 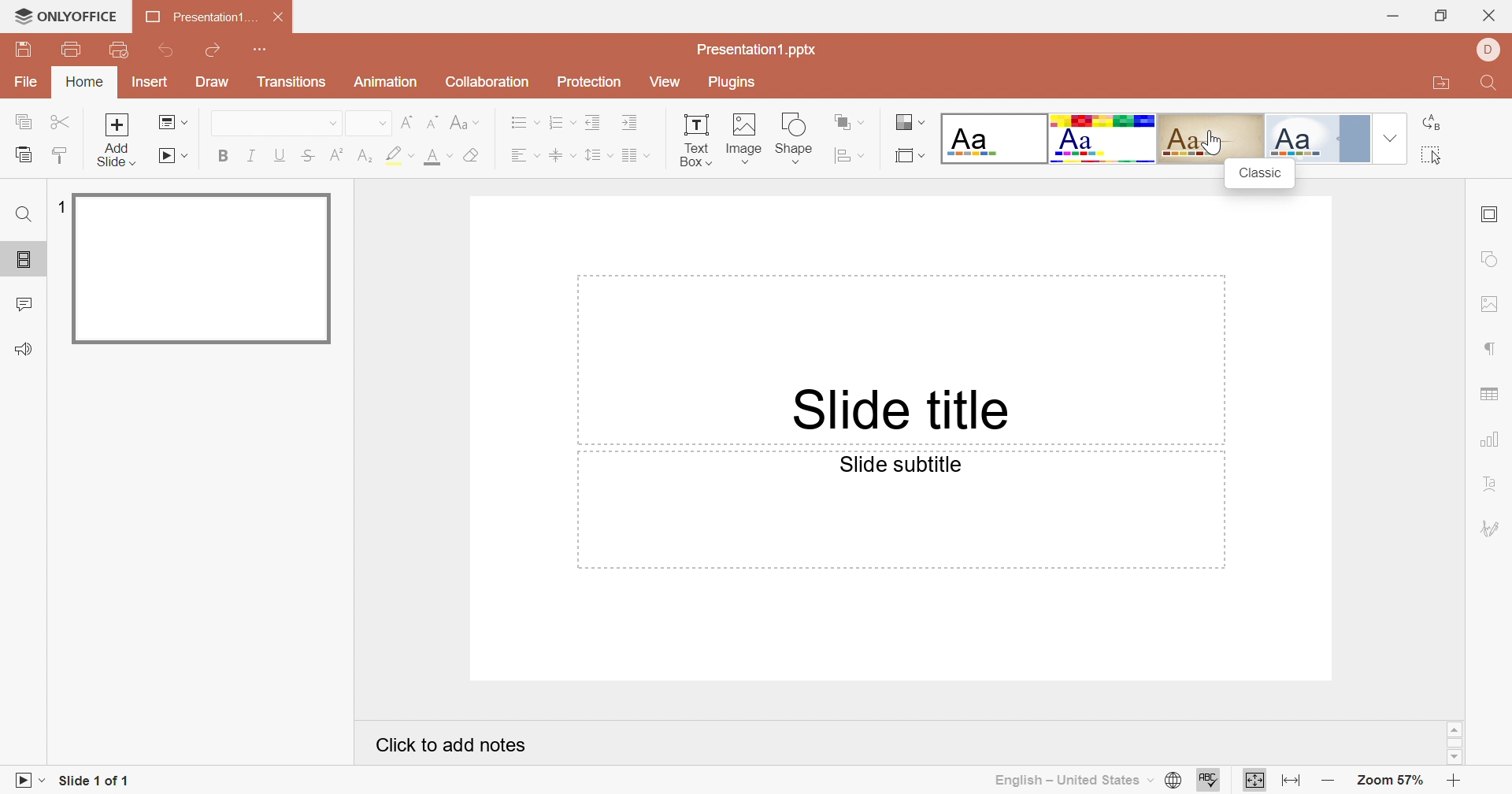 I want to click on Slideshow, so click(x=20, y=780).